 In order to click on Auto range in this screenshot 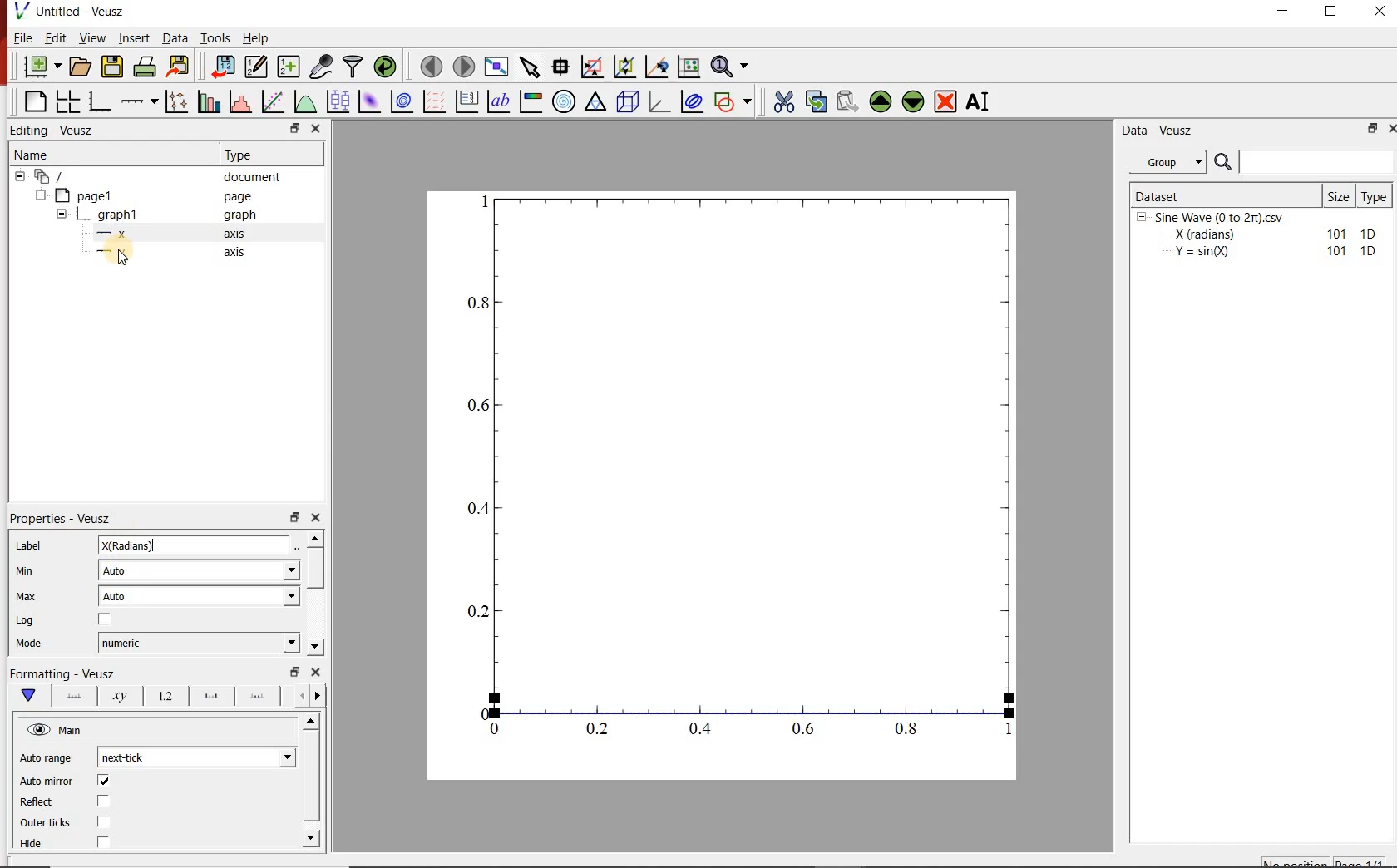, I will do `click(47, 756)`.